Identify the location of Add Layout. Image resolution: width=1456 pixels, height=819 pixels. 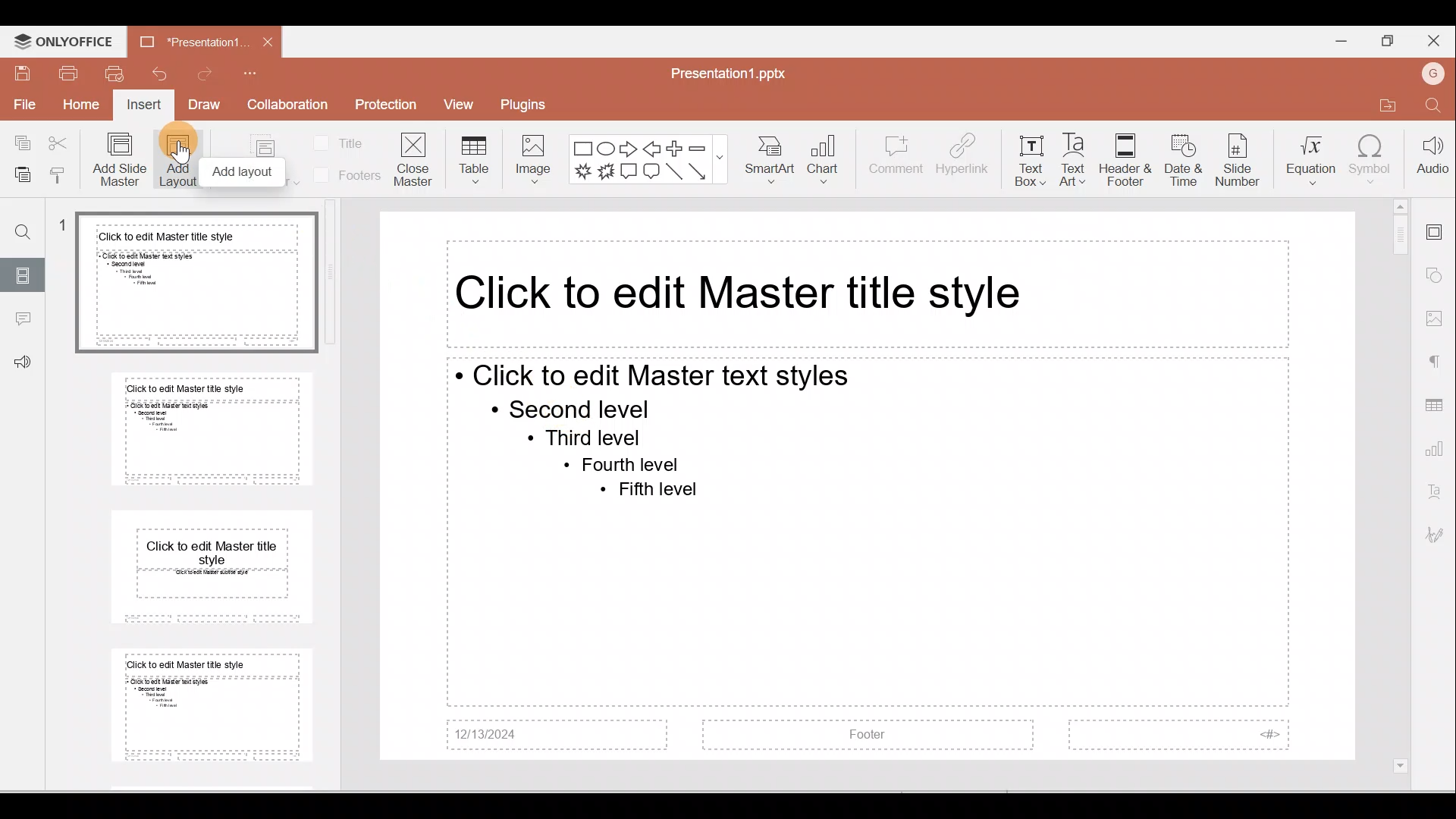
(179, 160).